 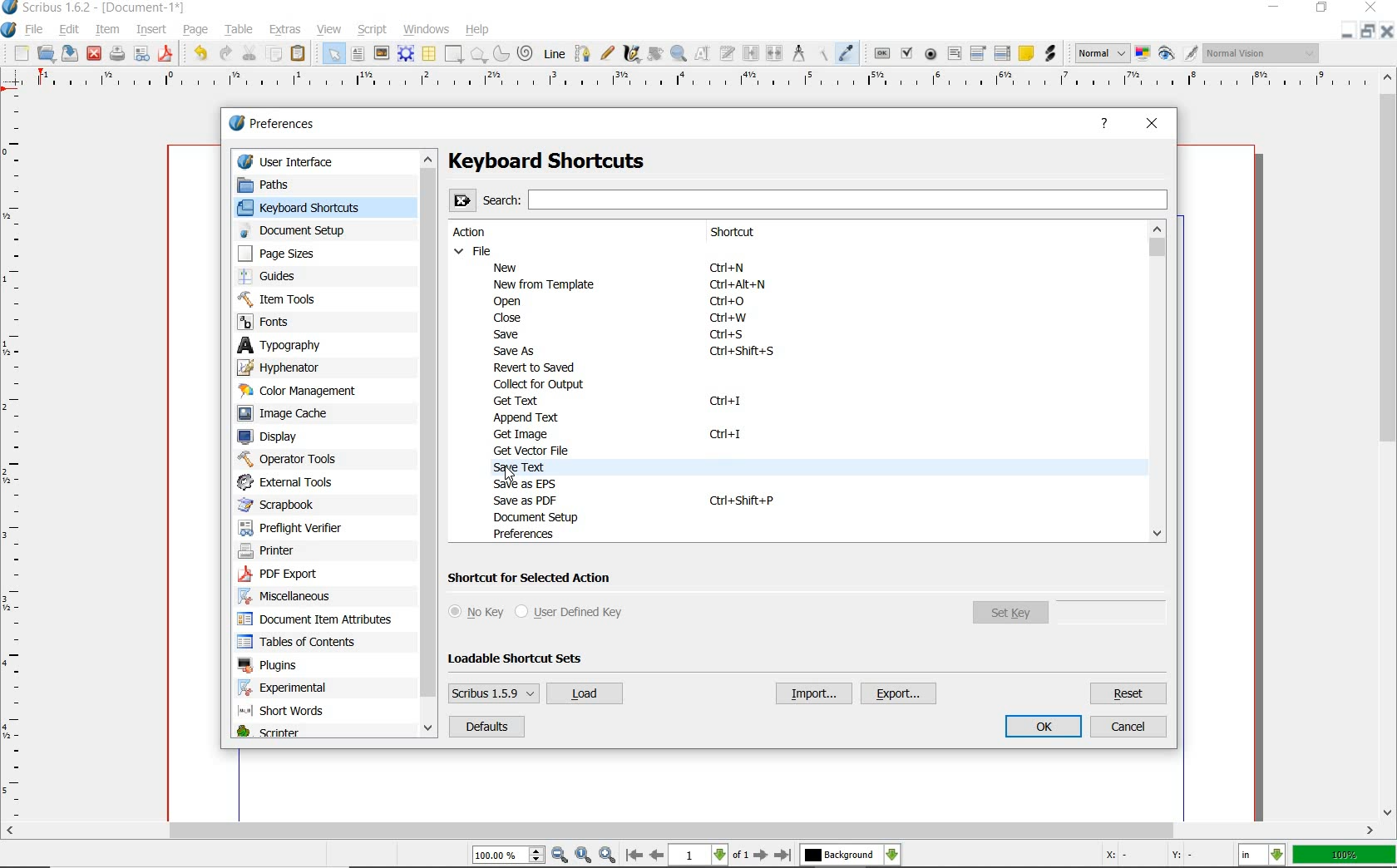 I want to click on item tools, so click(x=292, y=298).